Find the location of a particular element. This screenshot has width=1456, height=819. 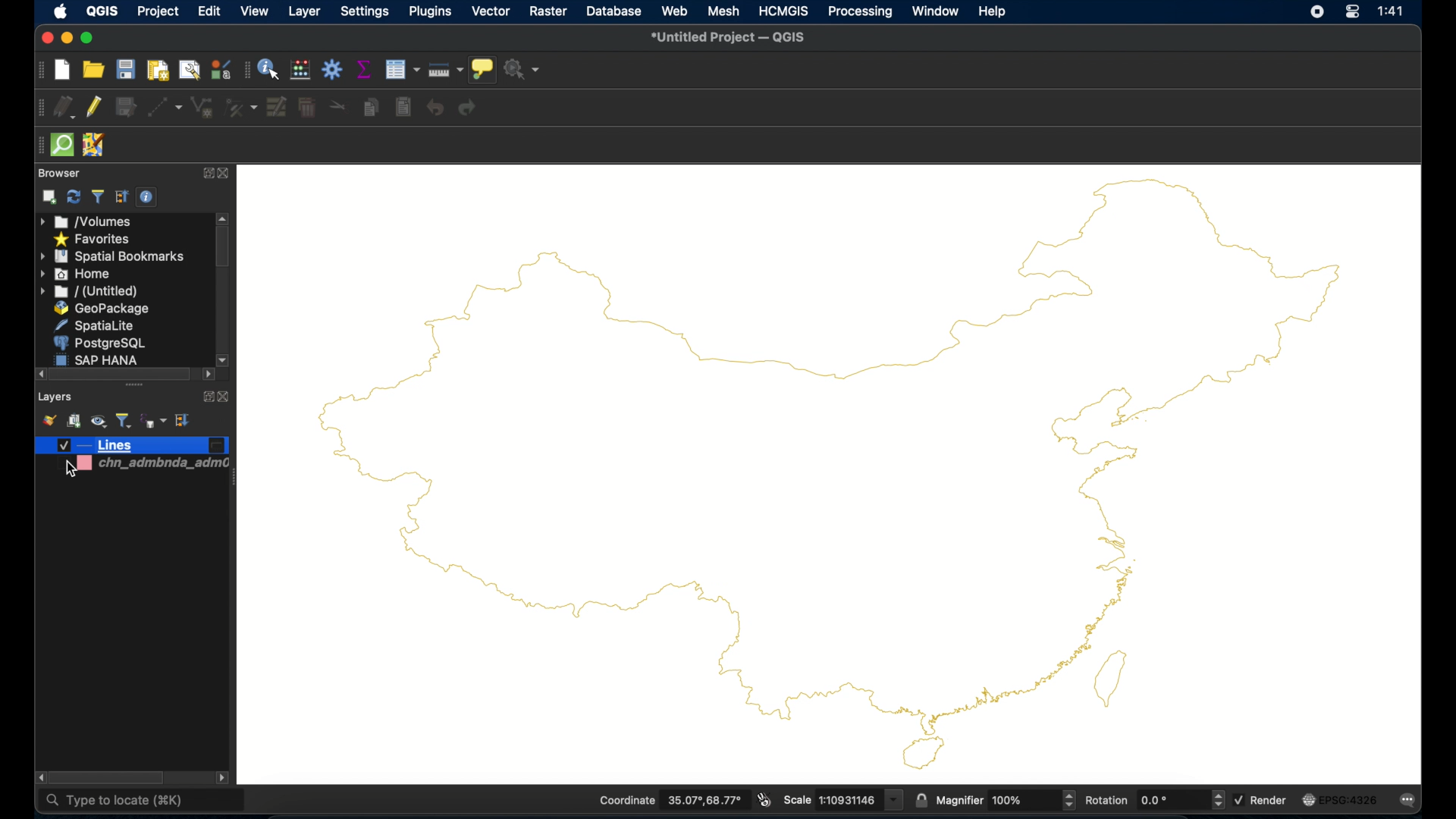

toggle editing is located at coordinates (93, 108).